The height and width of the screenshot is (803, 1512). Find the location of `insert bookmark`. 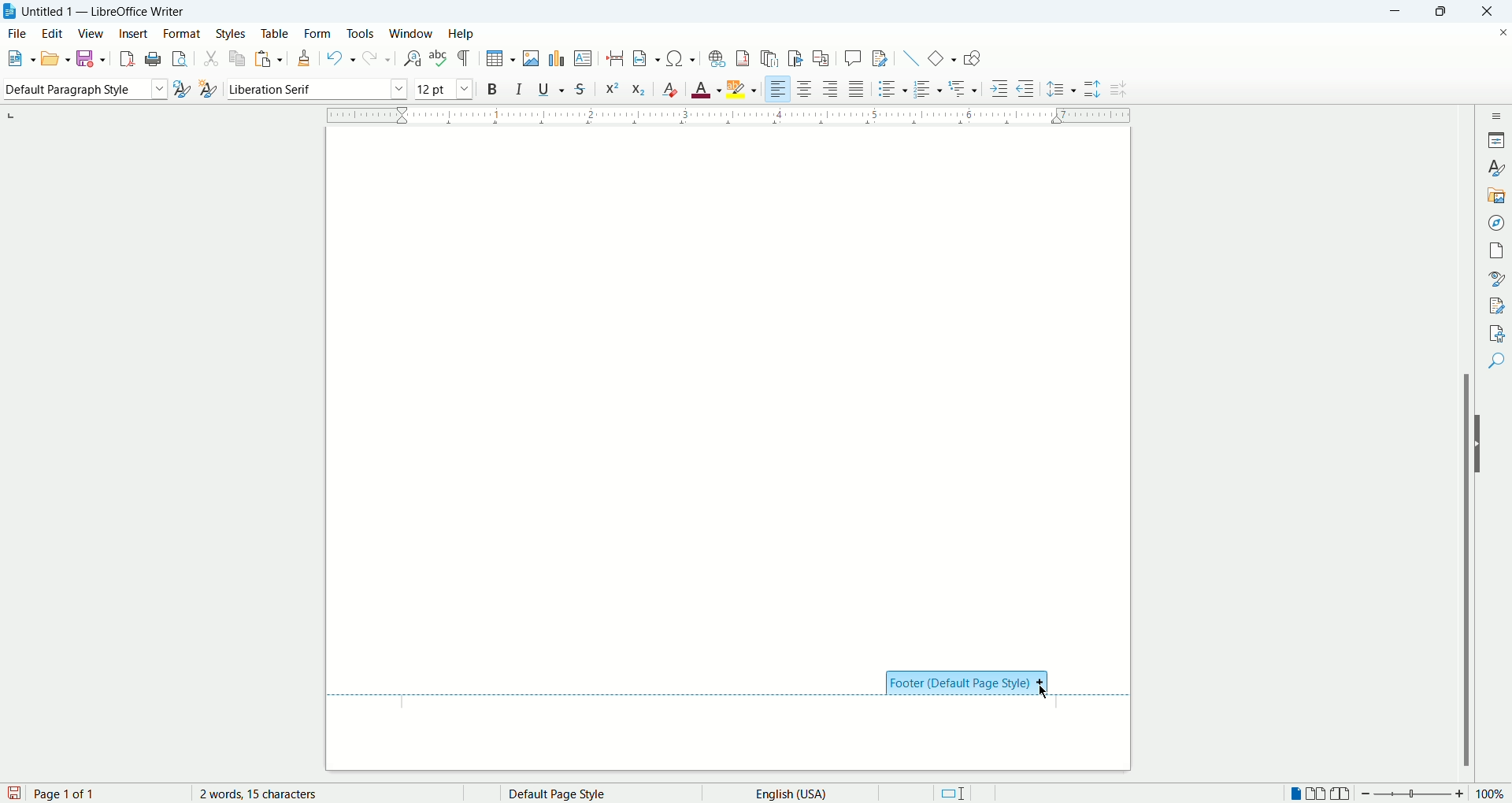

insert bookmark is located at coordinates (799, 58).